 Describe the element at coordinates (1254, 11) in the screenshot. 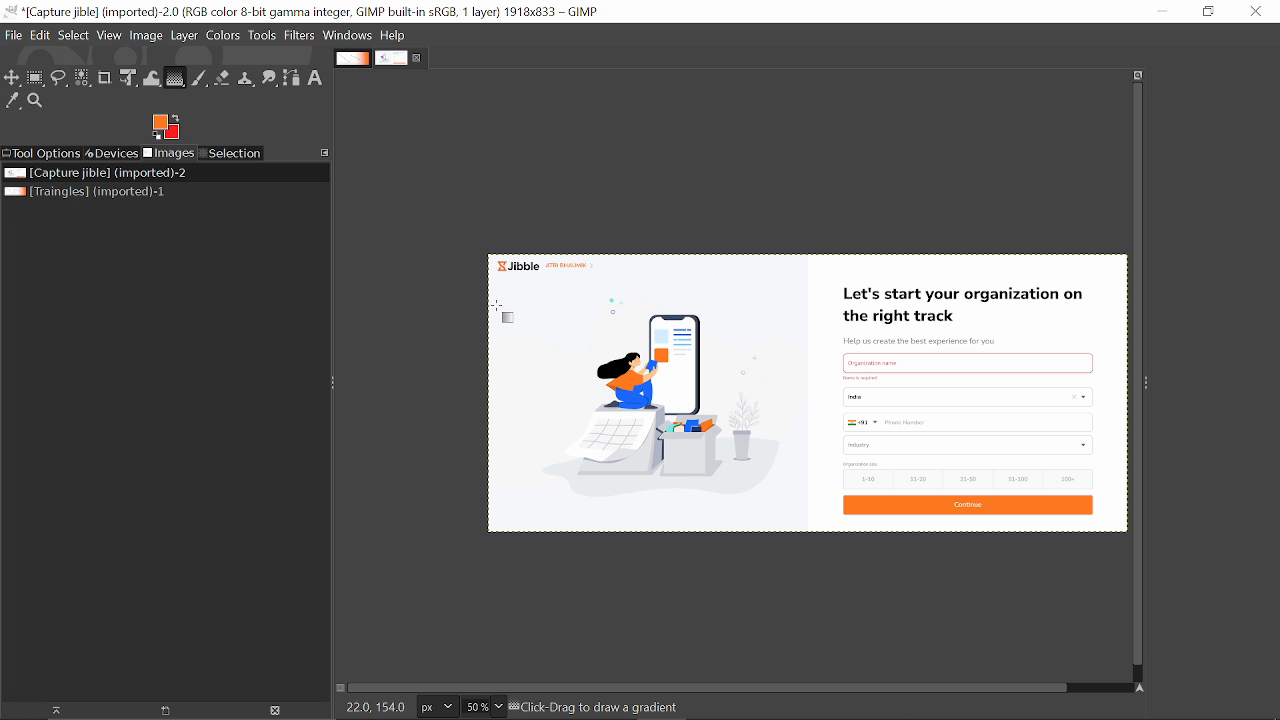

I see `Close` at that location.